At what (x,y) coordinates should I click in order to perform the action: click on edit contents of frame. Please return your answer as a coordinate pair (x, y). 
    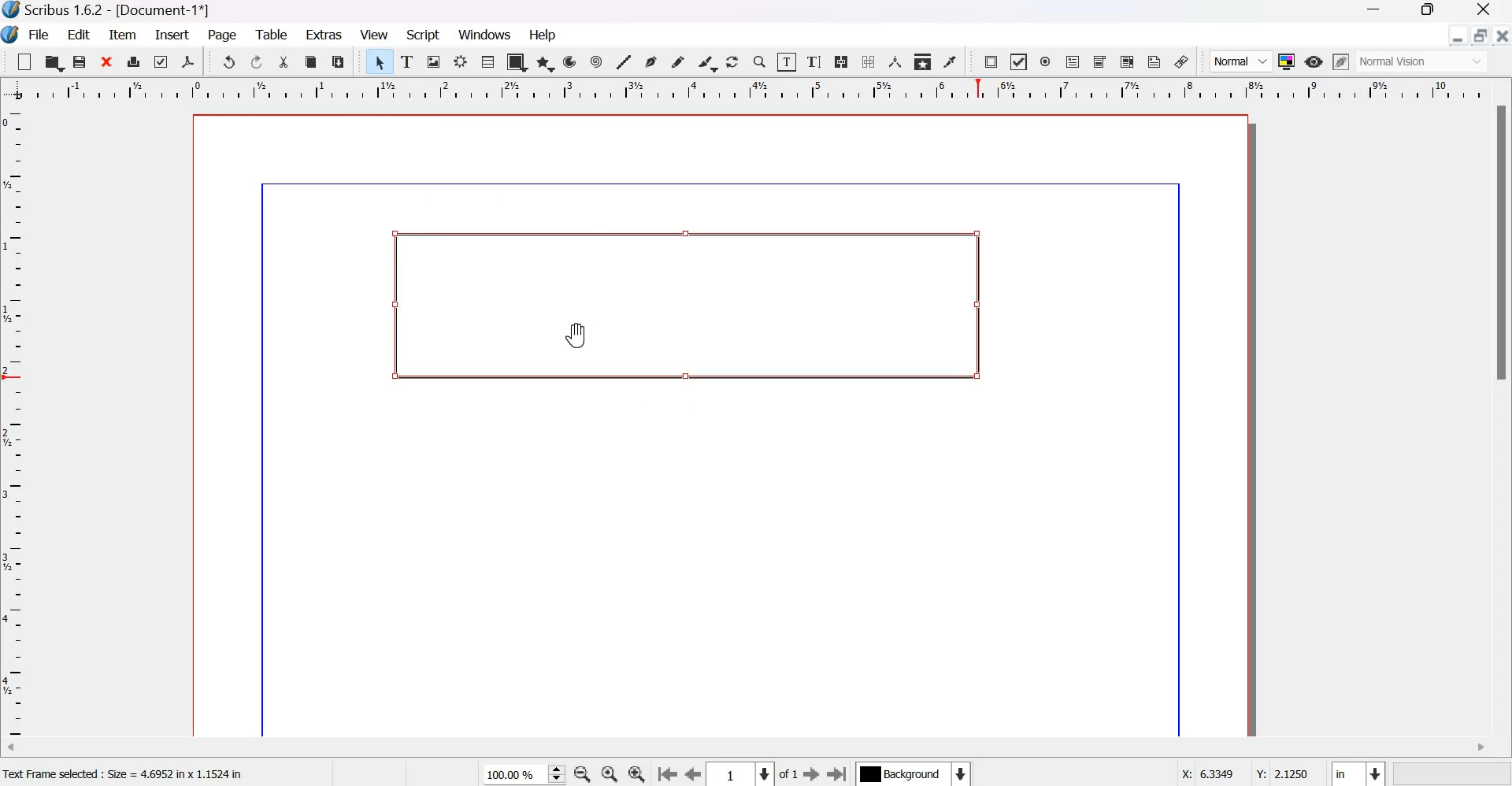
    Looking at the image, I should click on (786, 61).